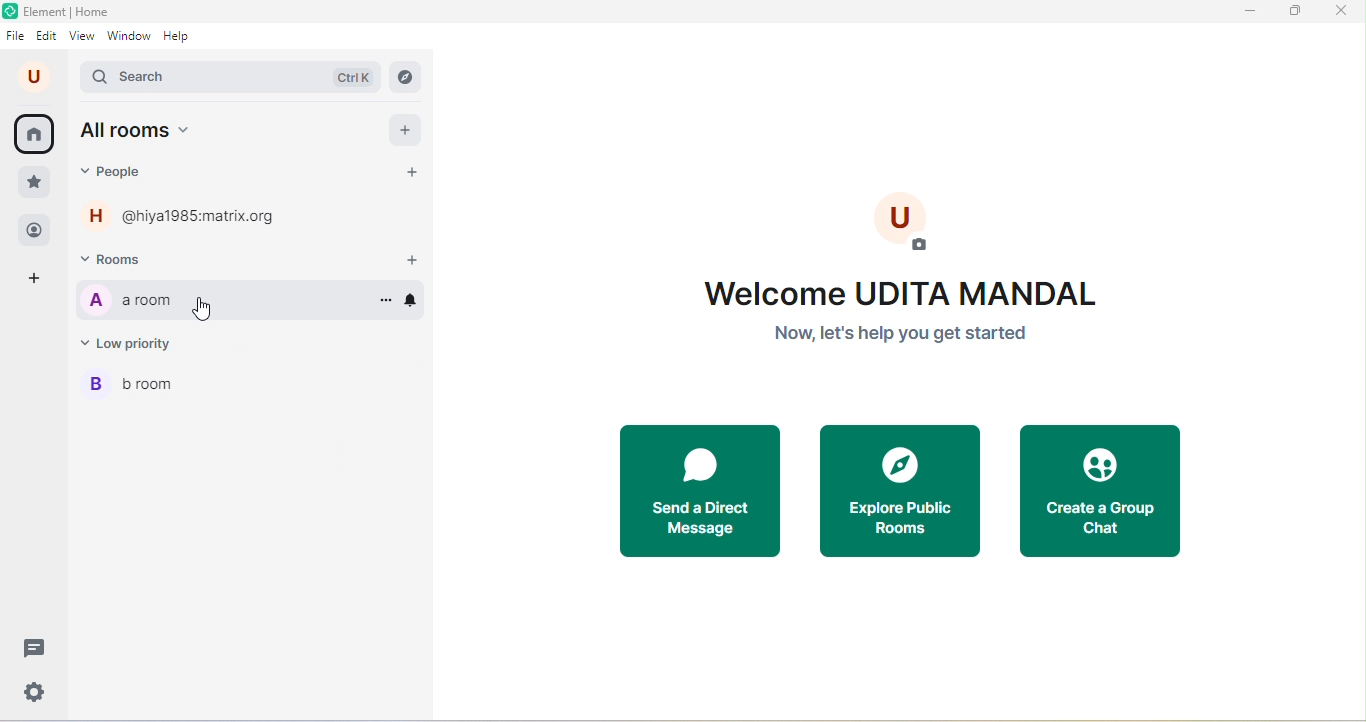  I want to click on options, so click(382, 298).